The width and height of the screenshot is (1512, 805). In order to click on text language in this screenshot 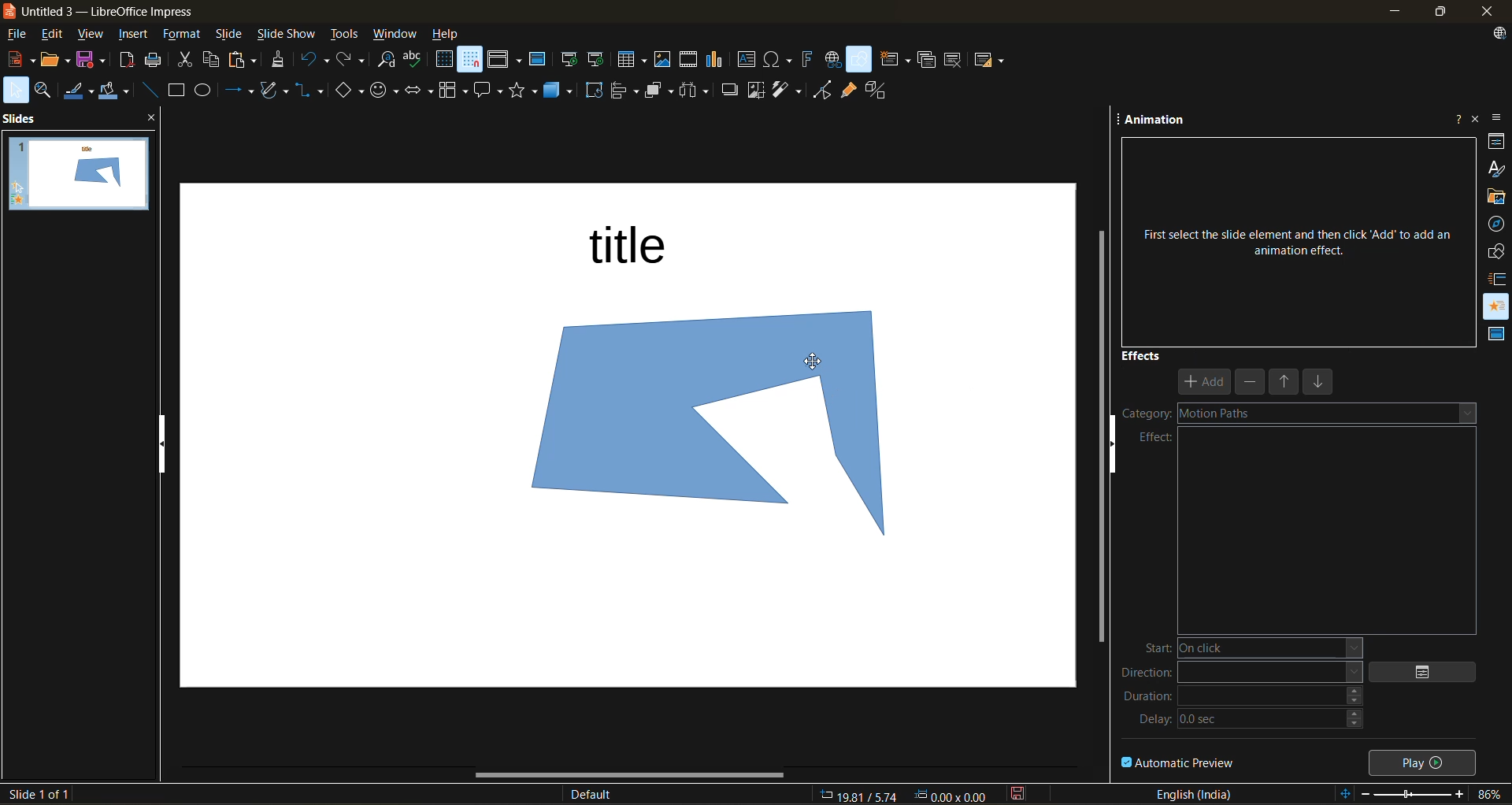, I will do `click(1203, 793)`.